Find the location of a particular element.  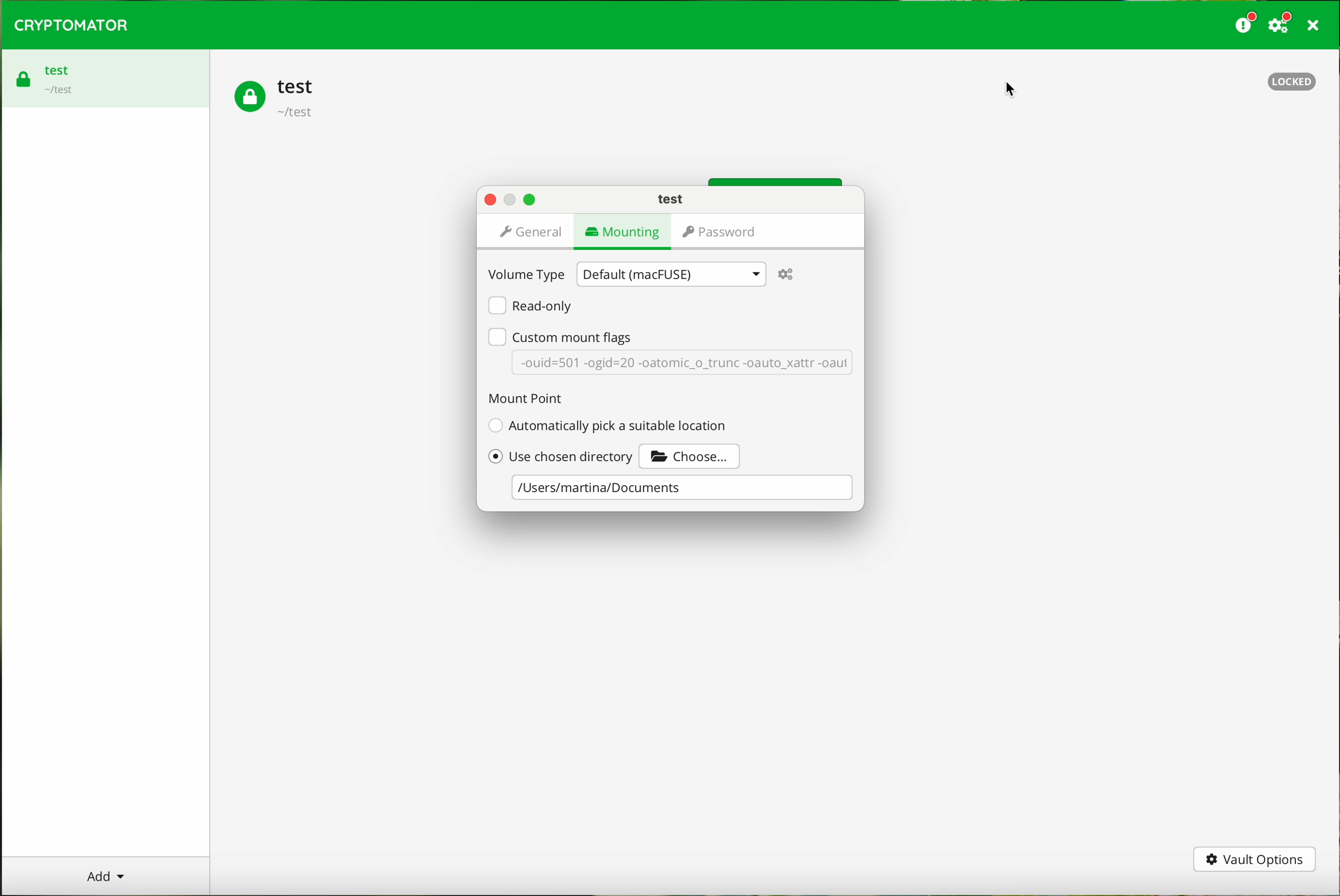

volume type is located at coordinates (527, 274).